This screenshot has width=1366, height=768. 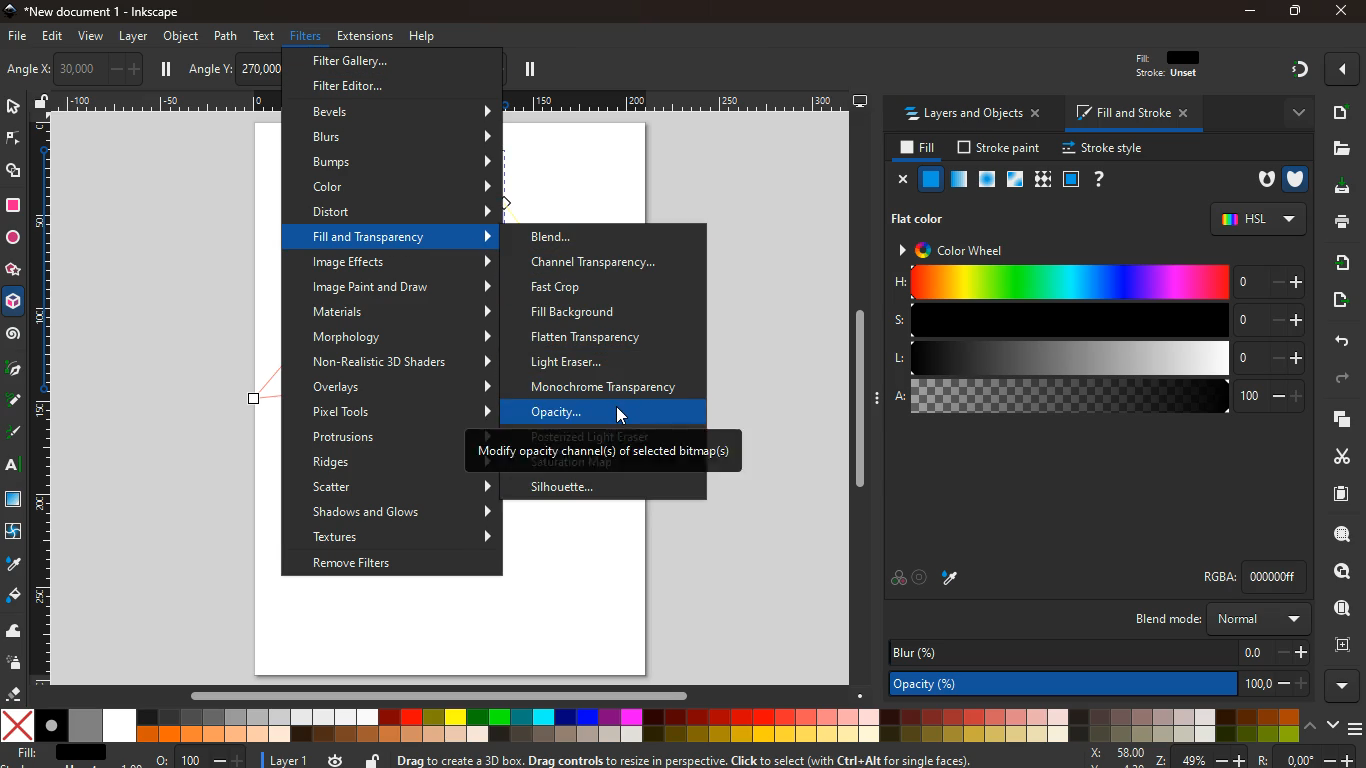 What do you see at coordinates (1354, 724) in the screenshot?
I see `menu` at bounding box center [1354, 724].